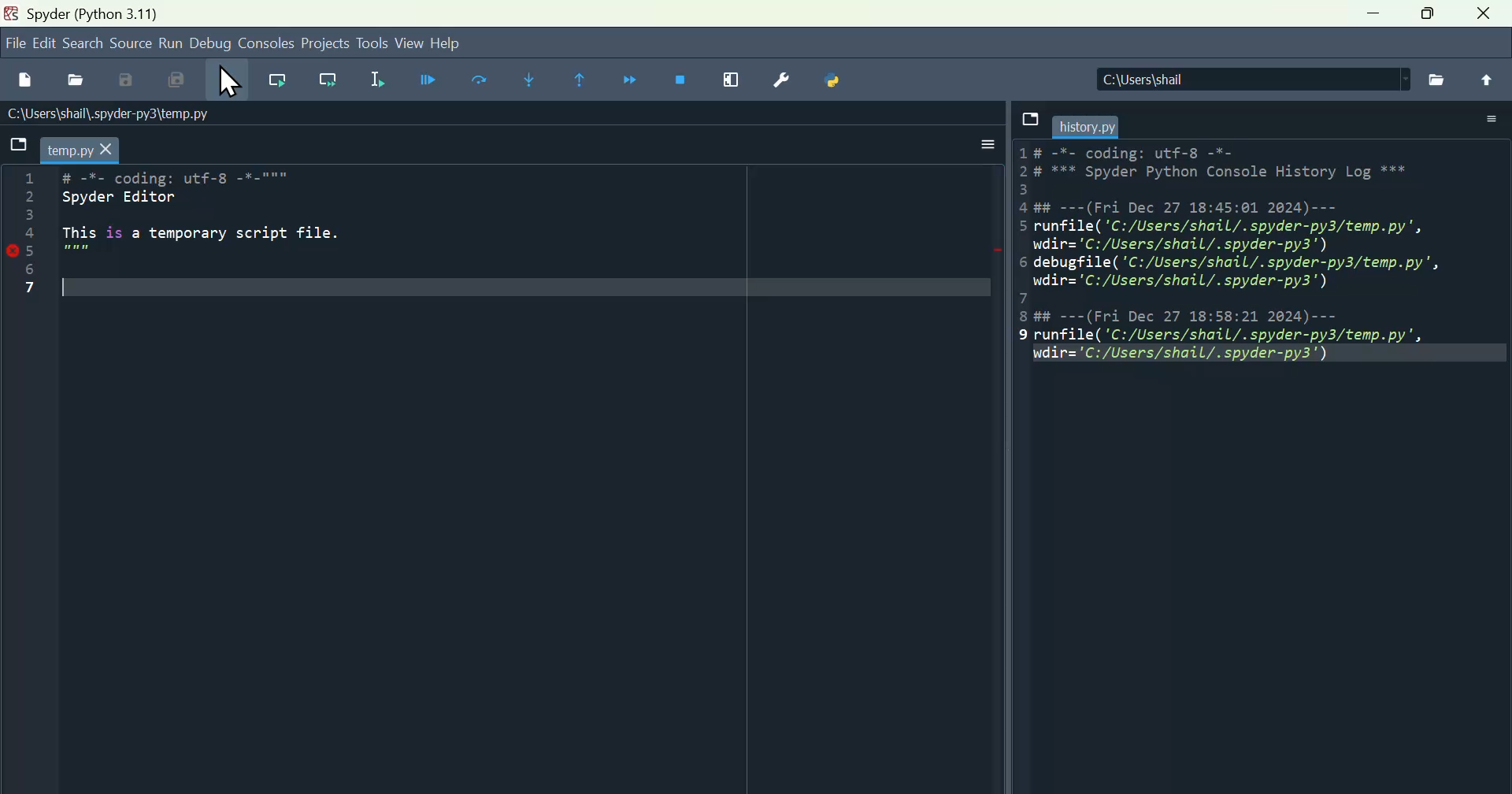 Image resolution: width=1512 pixels, height=794 pixels. What do you see at coordinates (324, 43) in the screenshot?
I see `Project` at bounding box center [324, 43].